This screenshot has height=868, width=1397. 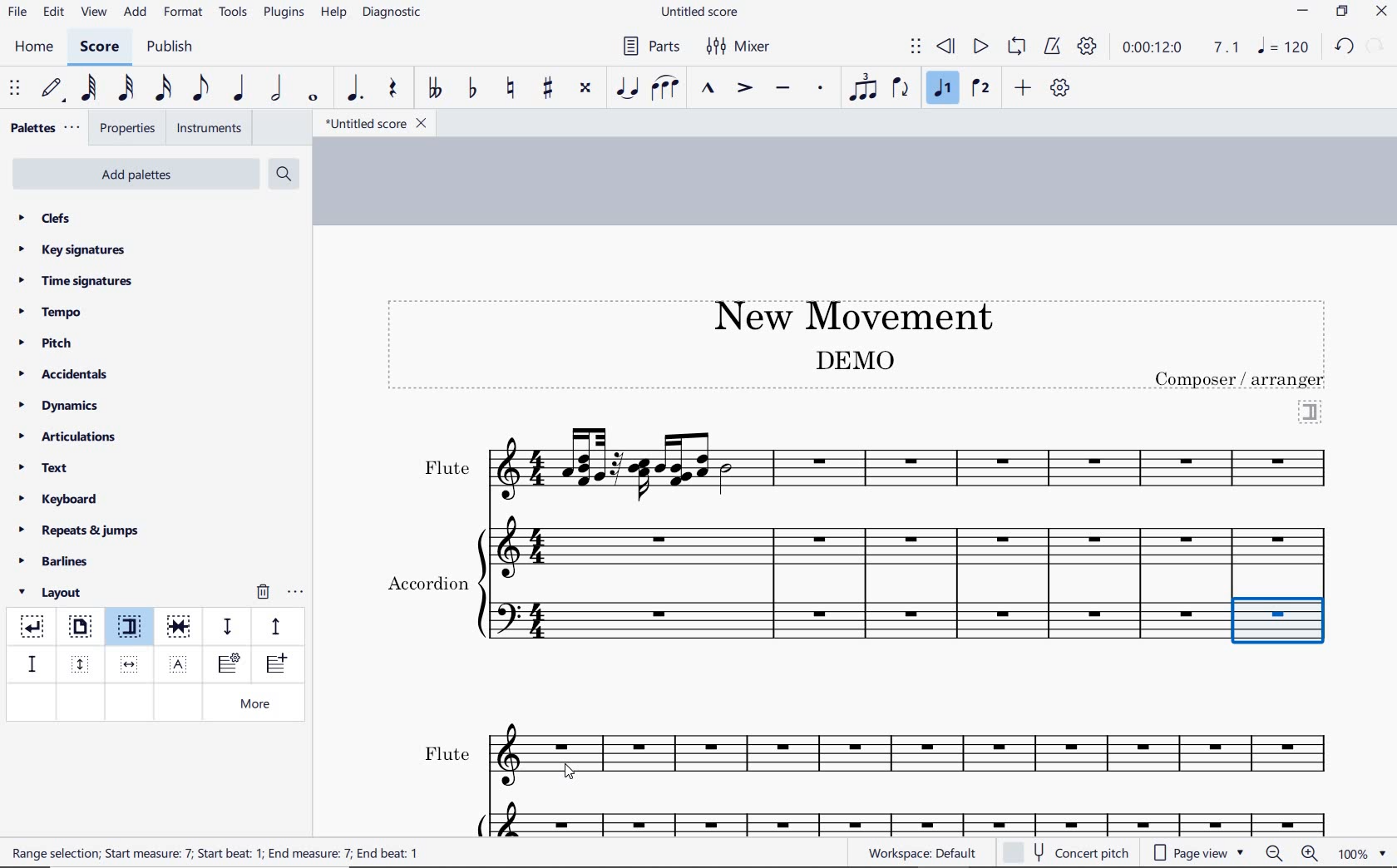 What do you see at coordinates (100, 49) in the screenshot?
I see `score` at bounding box center [100, 49].